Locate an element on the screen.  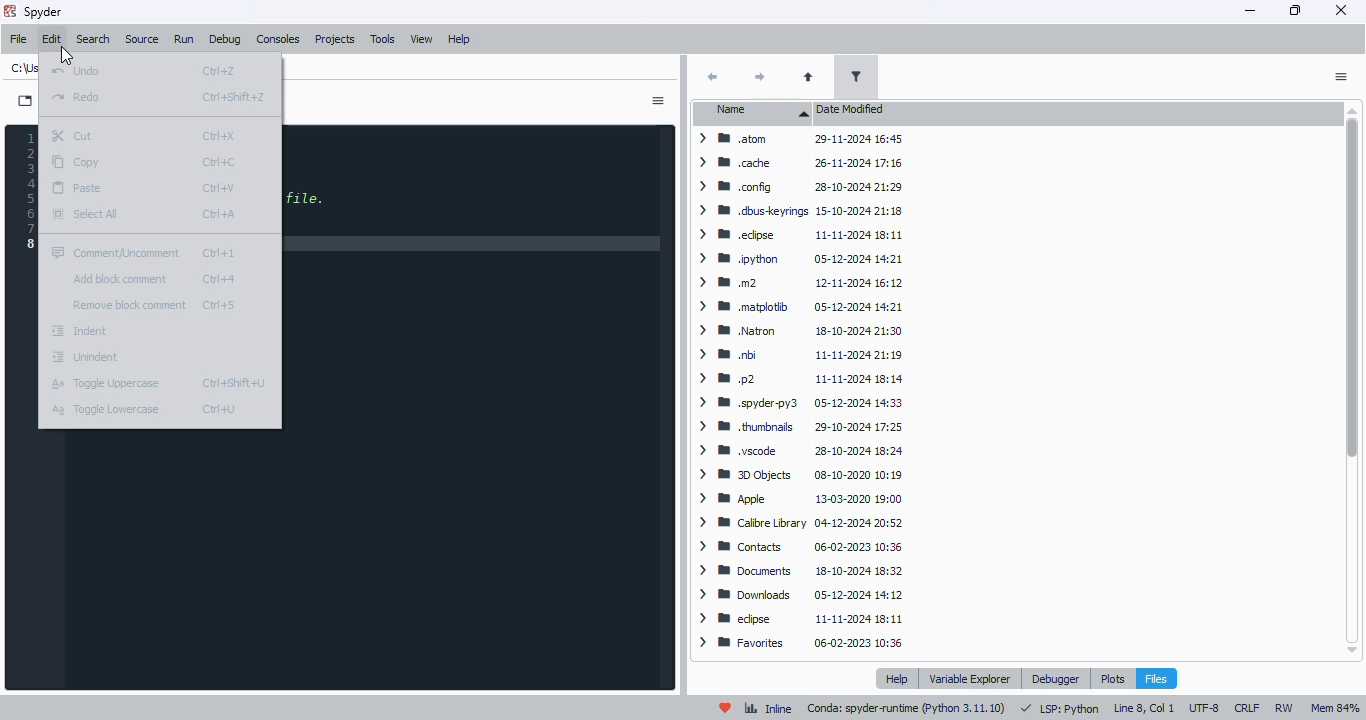
maximize is located at coordinates (1296, 10).